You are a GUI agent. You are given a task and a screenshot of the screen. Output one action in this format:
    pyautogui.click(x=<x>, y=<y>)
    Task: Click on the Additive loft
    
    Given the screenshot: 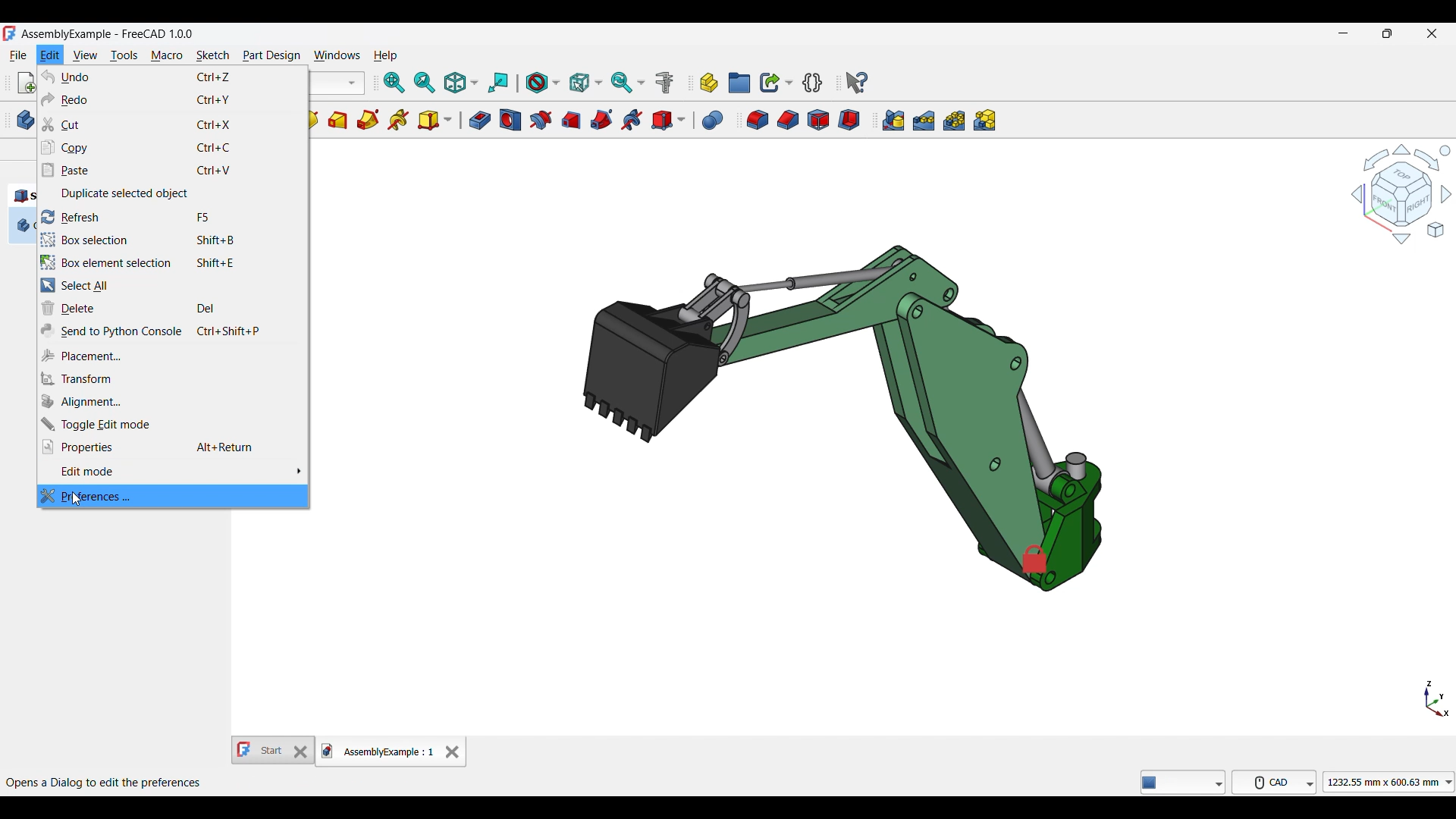 What is the action you would take?
    pyautogui.click(x=338, y=120)
    